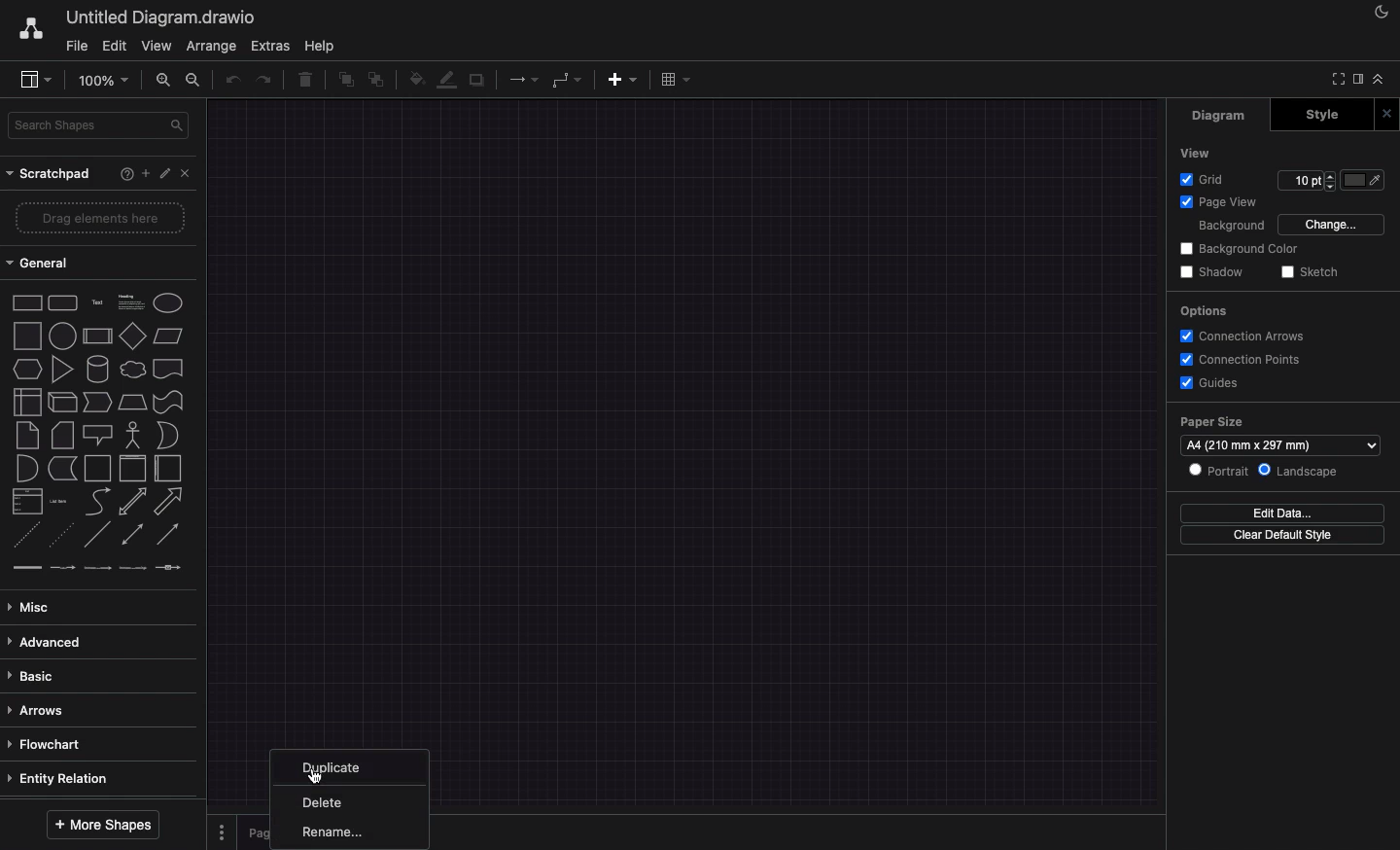 Image resolution: width=1400 pixels, height=850 pixels. I want to click on curve, so click(96, 502).